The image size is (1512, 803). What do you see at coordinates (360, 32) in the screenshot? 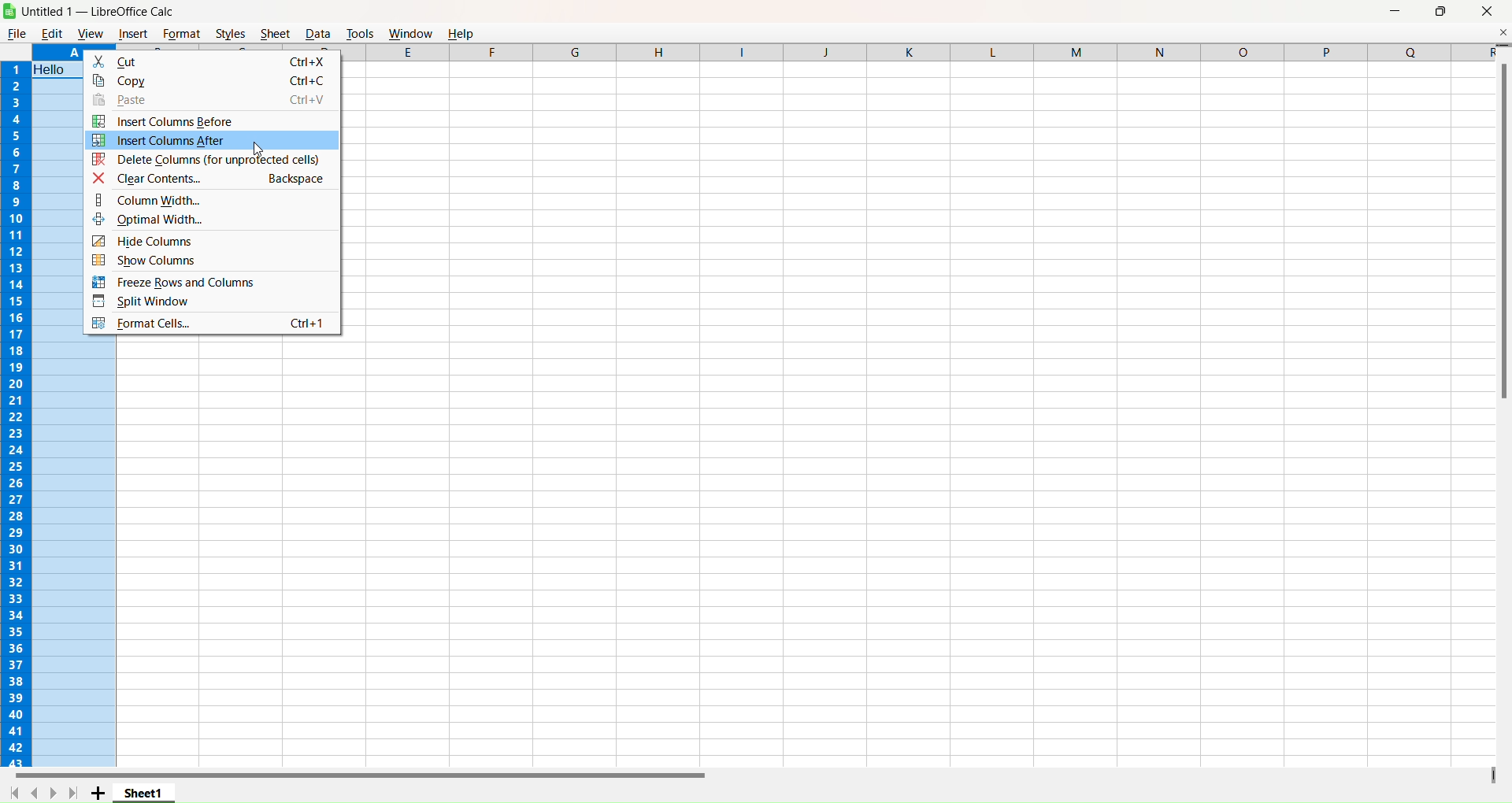
I see `Tools` at bounding box center [360, 32].